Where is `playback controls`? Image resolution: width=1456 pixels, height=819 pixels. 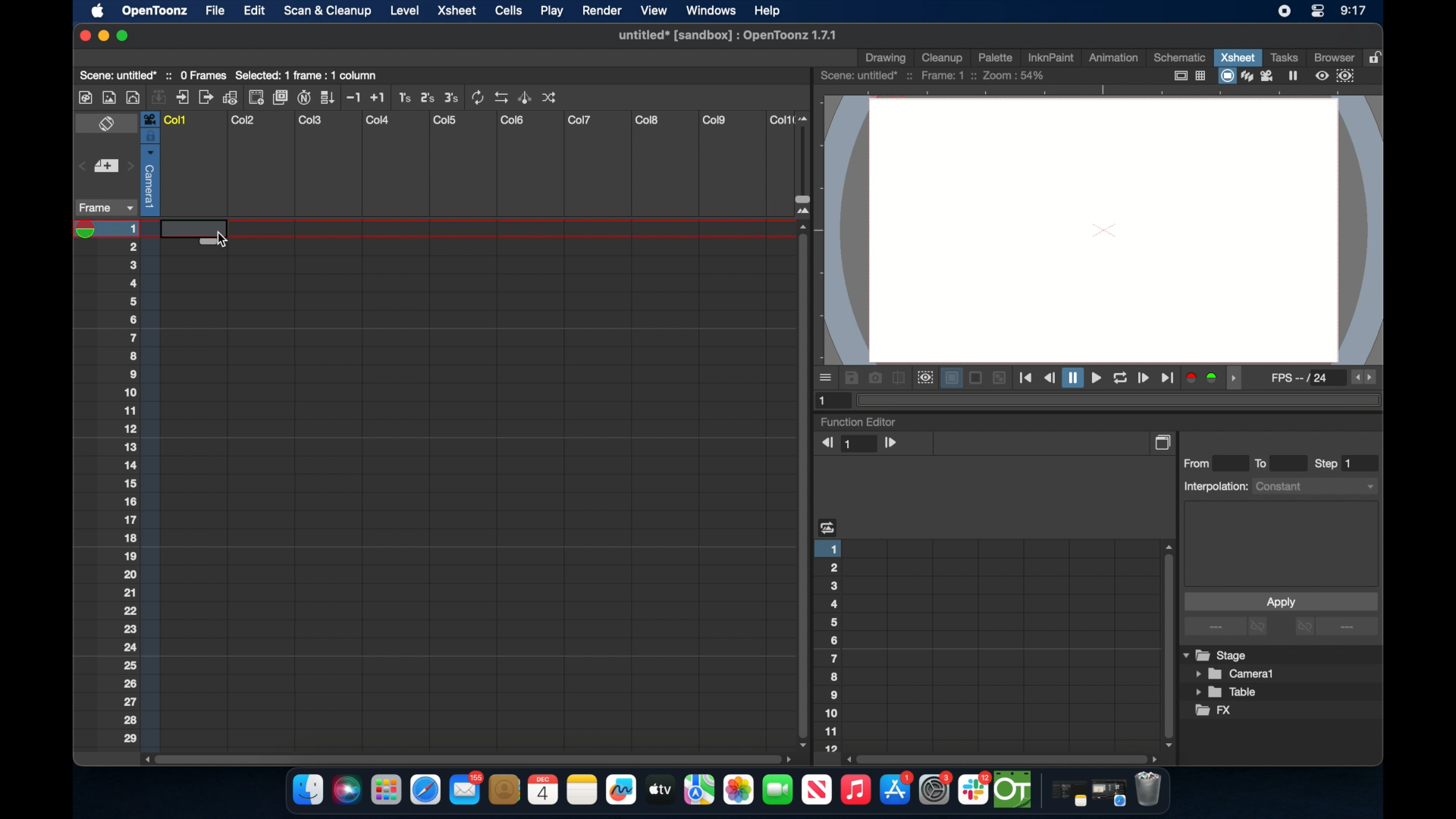 playback controls is located at coordinates (1097, 378).